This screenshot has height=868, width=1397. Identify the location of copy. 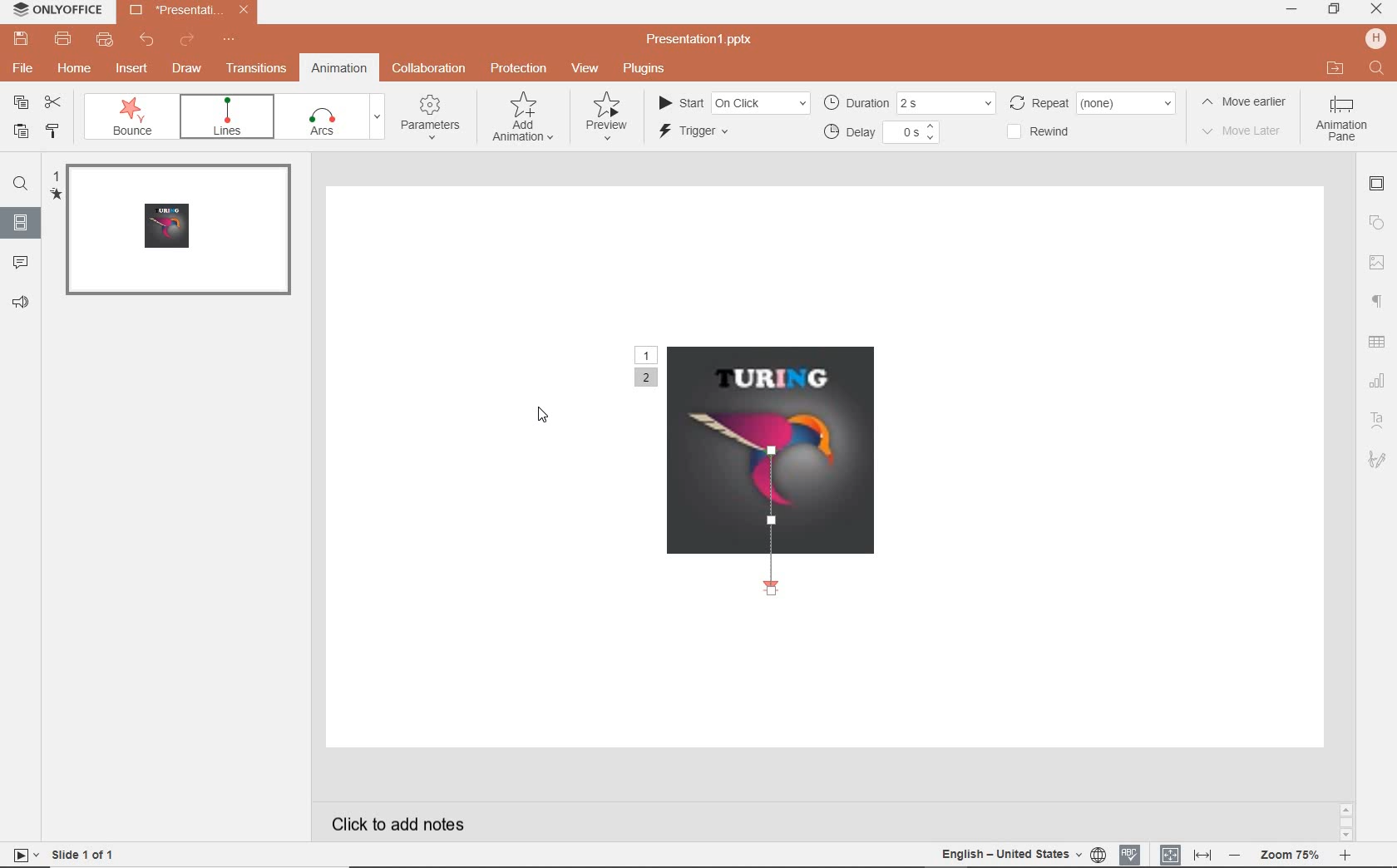
(20, 103).